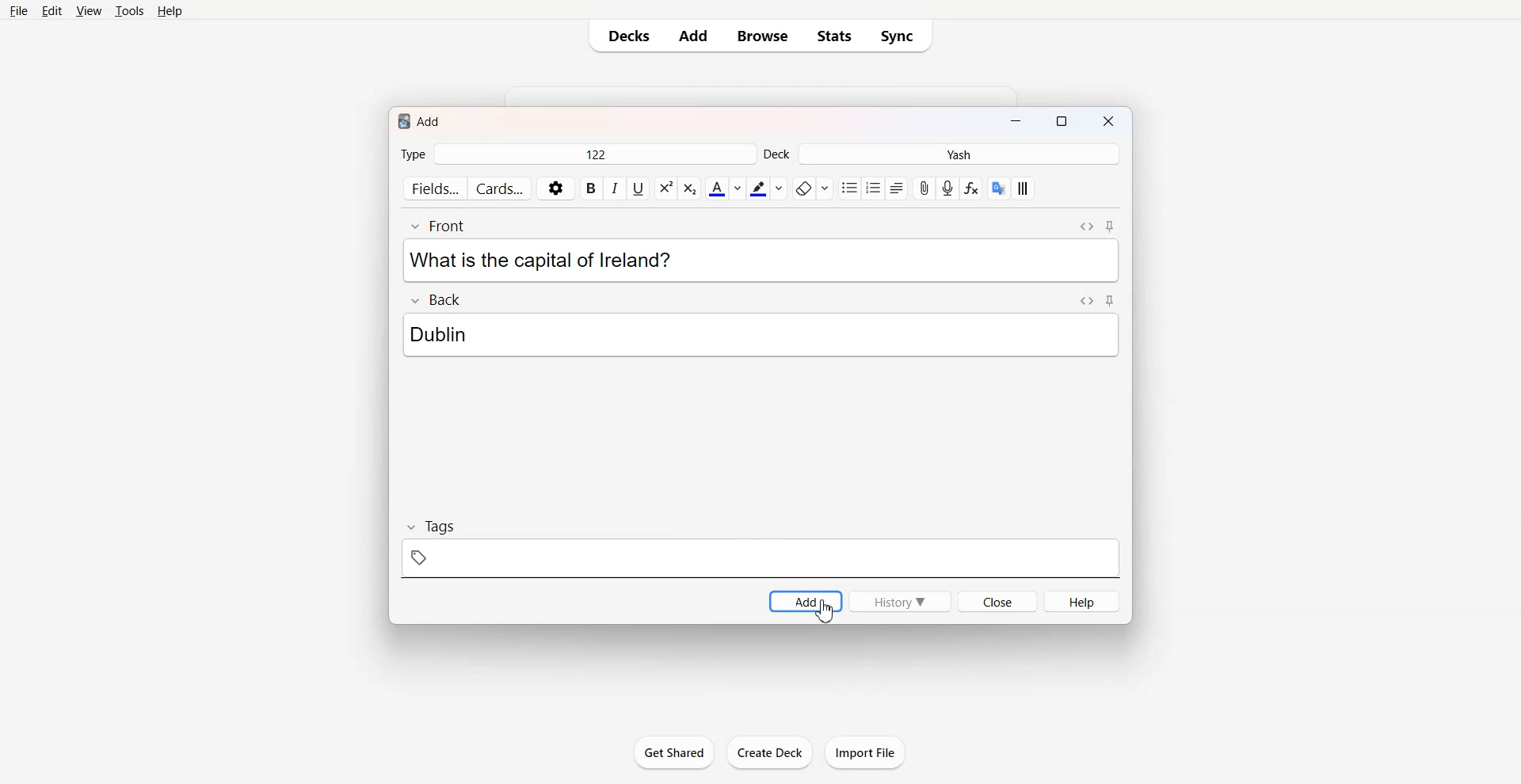 This screenshot has height=784, width=1521. What do you see at coordinates (434, 299) in the screenshot?
I see `Back` at bounding box center [434, 299].